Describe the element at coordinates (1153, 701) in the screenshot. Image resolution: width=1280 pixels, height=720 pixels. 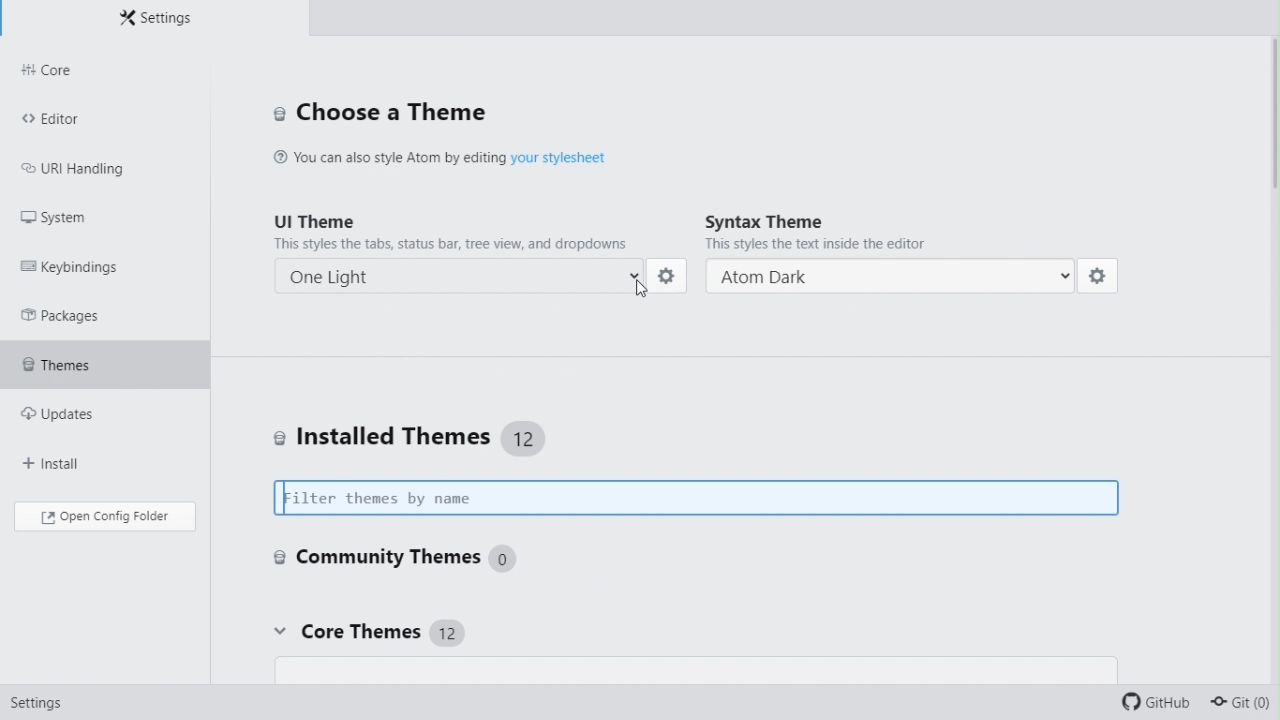
I see `github` at that location.